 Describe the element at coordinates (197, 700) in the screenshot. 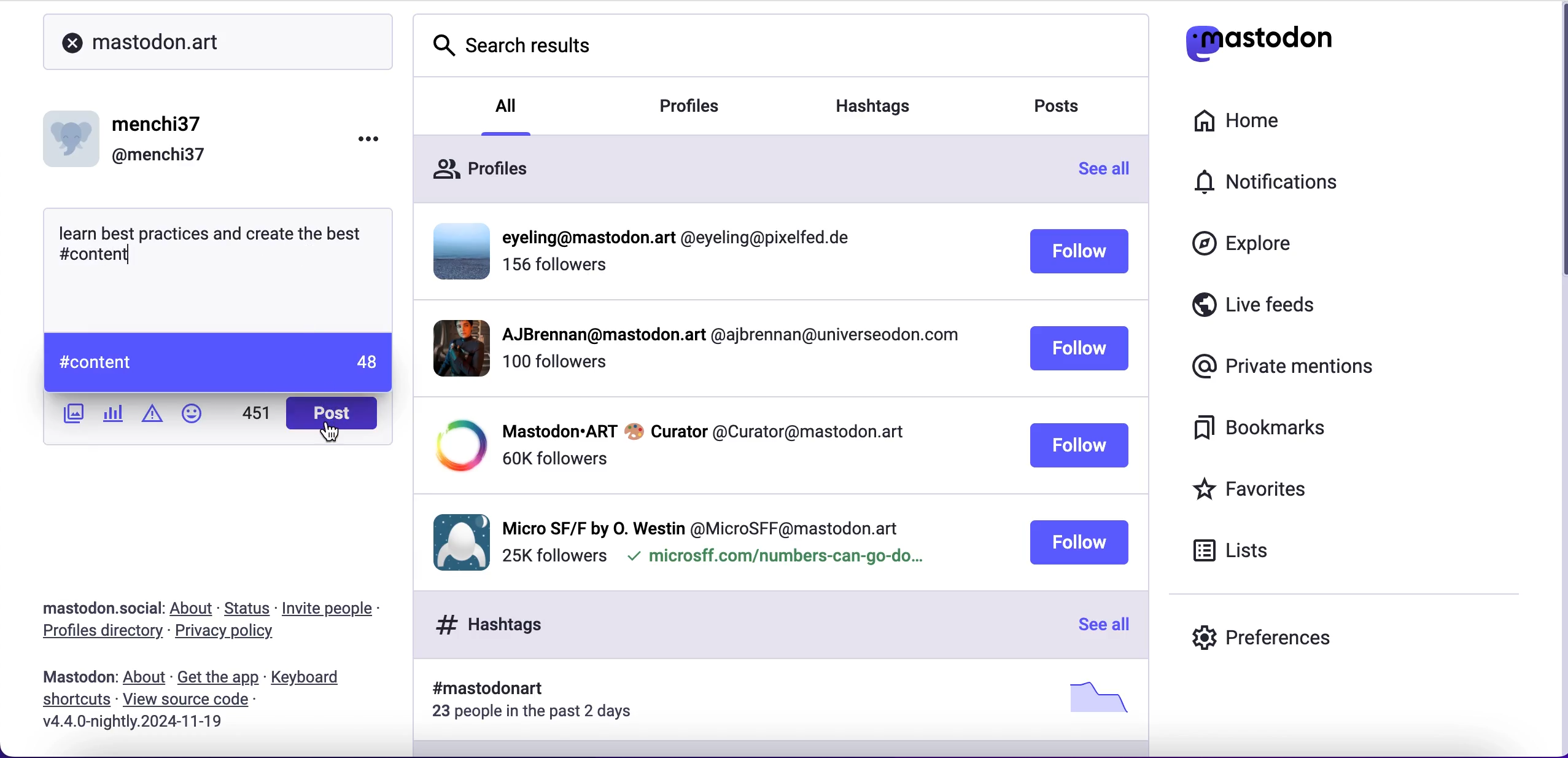

I see `view source code` at that location.